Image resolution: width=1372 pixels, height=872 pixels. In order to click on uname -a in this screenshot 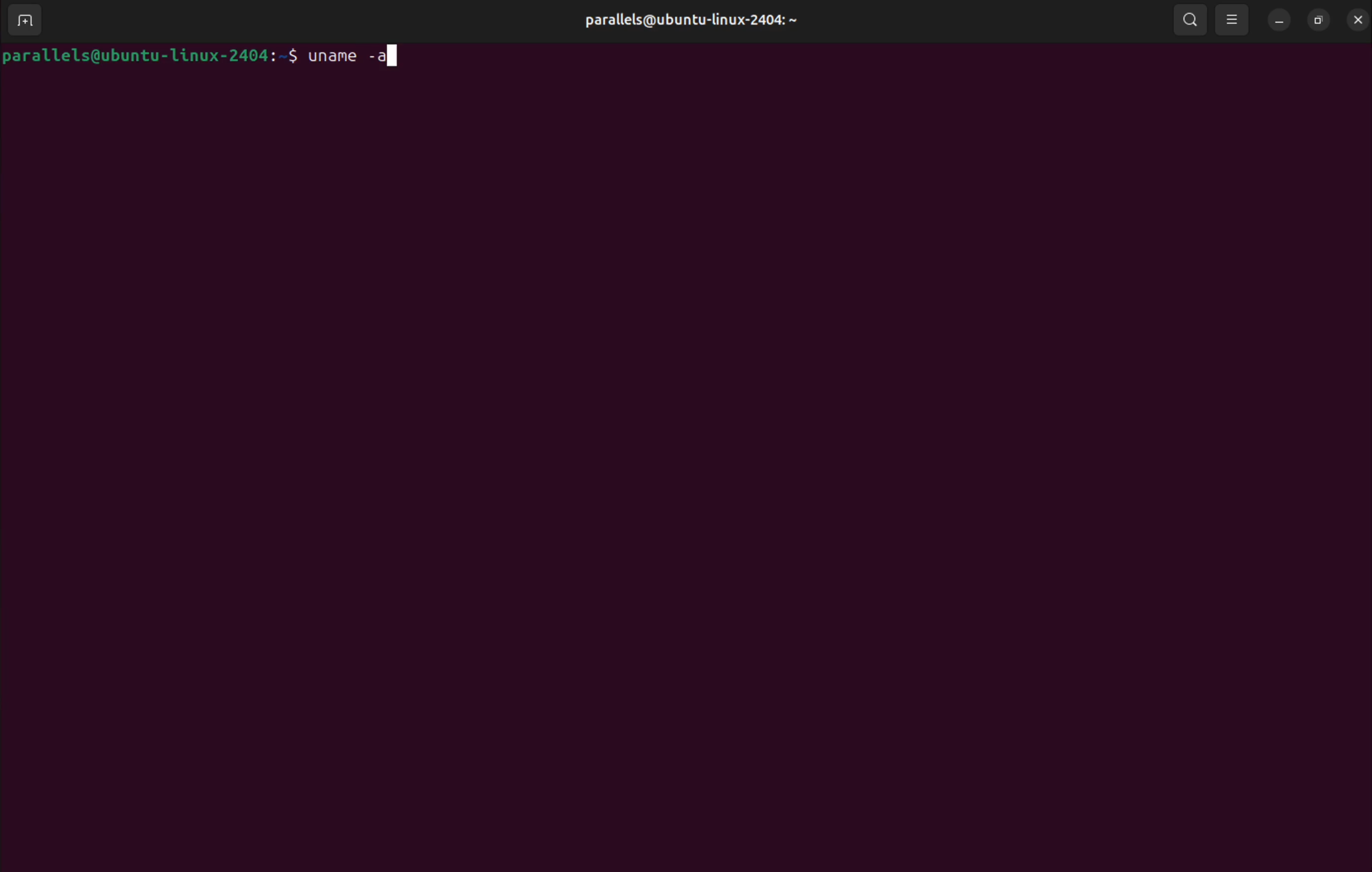, I will do `click(357, 55)`.